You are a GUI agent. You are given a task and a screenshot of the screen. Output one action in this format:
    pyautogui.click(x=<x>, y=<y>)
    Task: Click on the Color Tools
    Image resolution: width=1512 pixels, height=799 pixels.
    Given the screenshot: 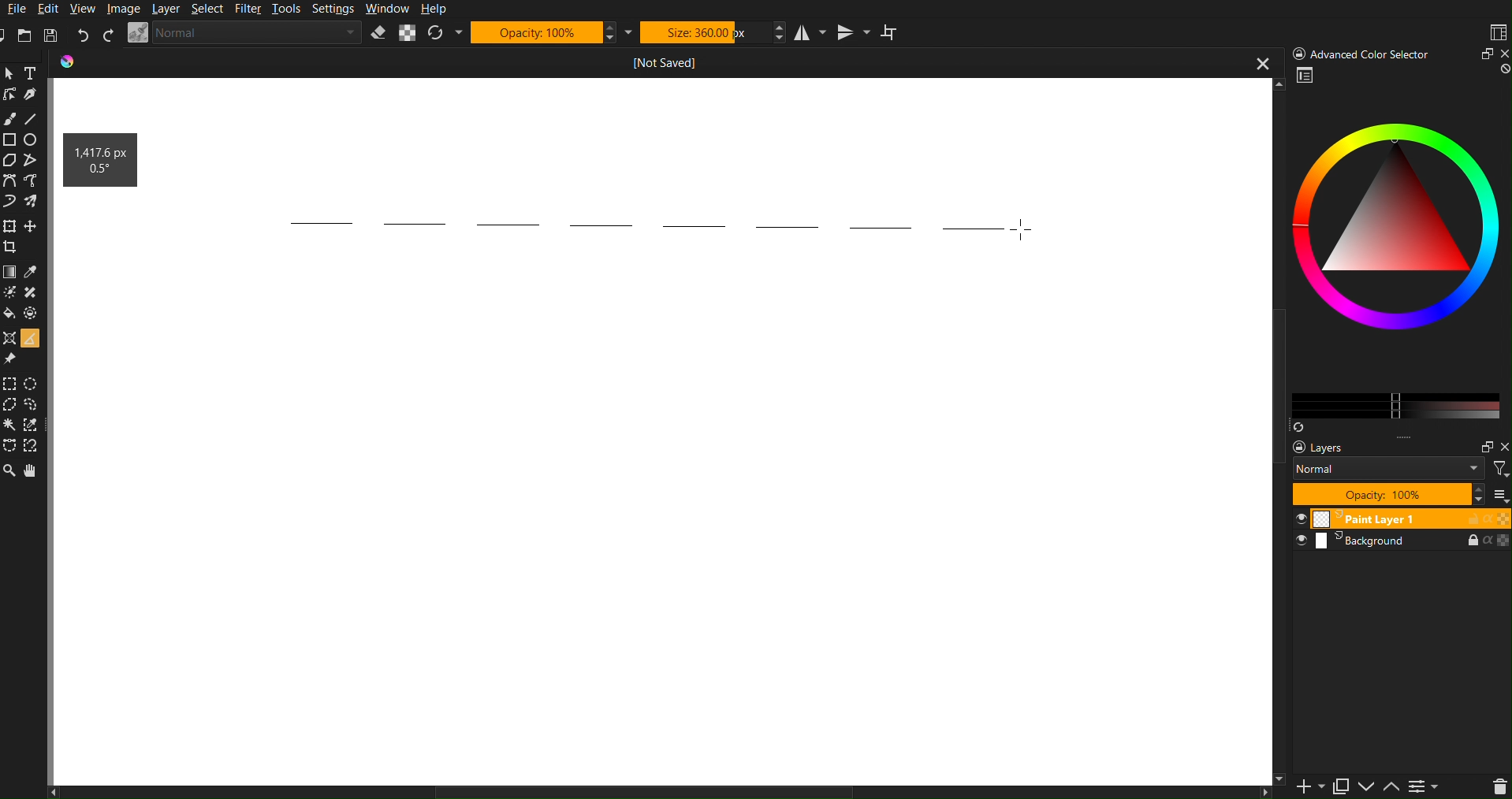 What is the action you would take?
    pyautogui.click(x=9, y=271)
    